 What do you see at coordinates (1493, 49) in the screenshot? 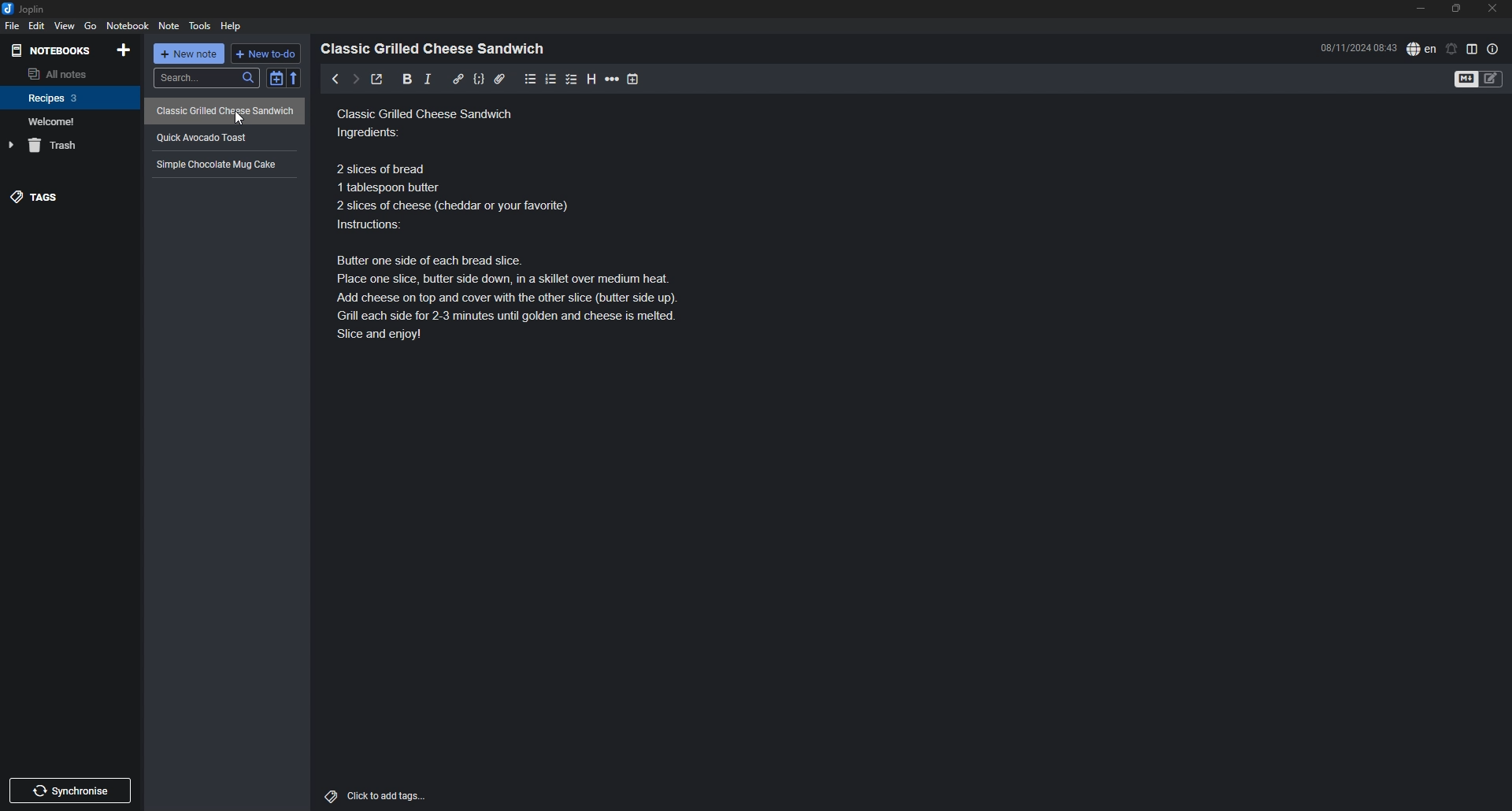
I see `note properties` at bounding box center [1493, 49].